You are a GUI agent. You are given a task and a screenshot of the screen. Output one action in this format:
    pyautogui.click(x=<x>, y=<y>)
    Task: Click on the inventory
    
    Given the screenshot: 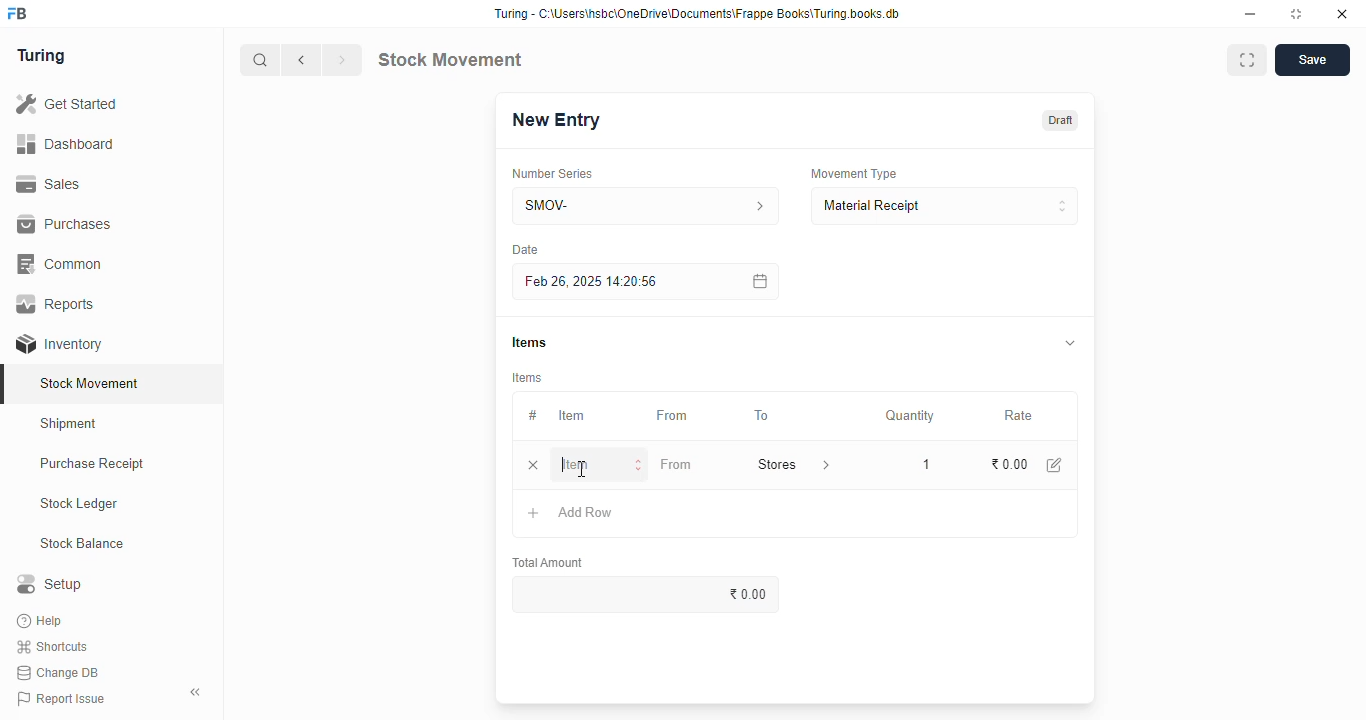 What is the action you would take?
    pyautogui.click(x=59, y=344)
    